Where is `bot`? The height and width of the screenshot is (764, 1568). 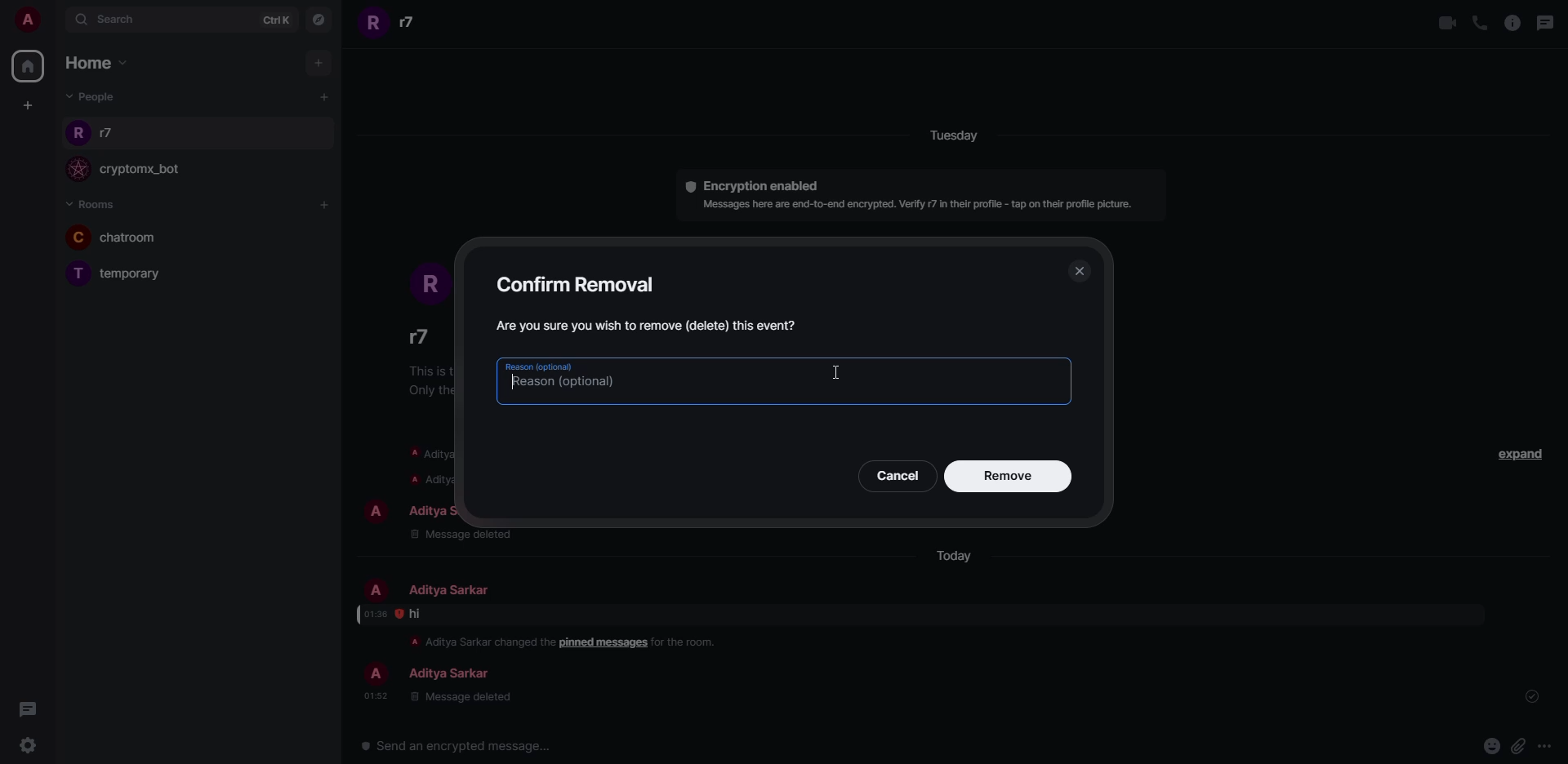
bot is located at coordinates (144, 171).